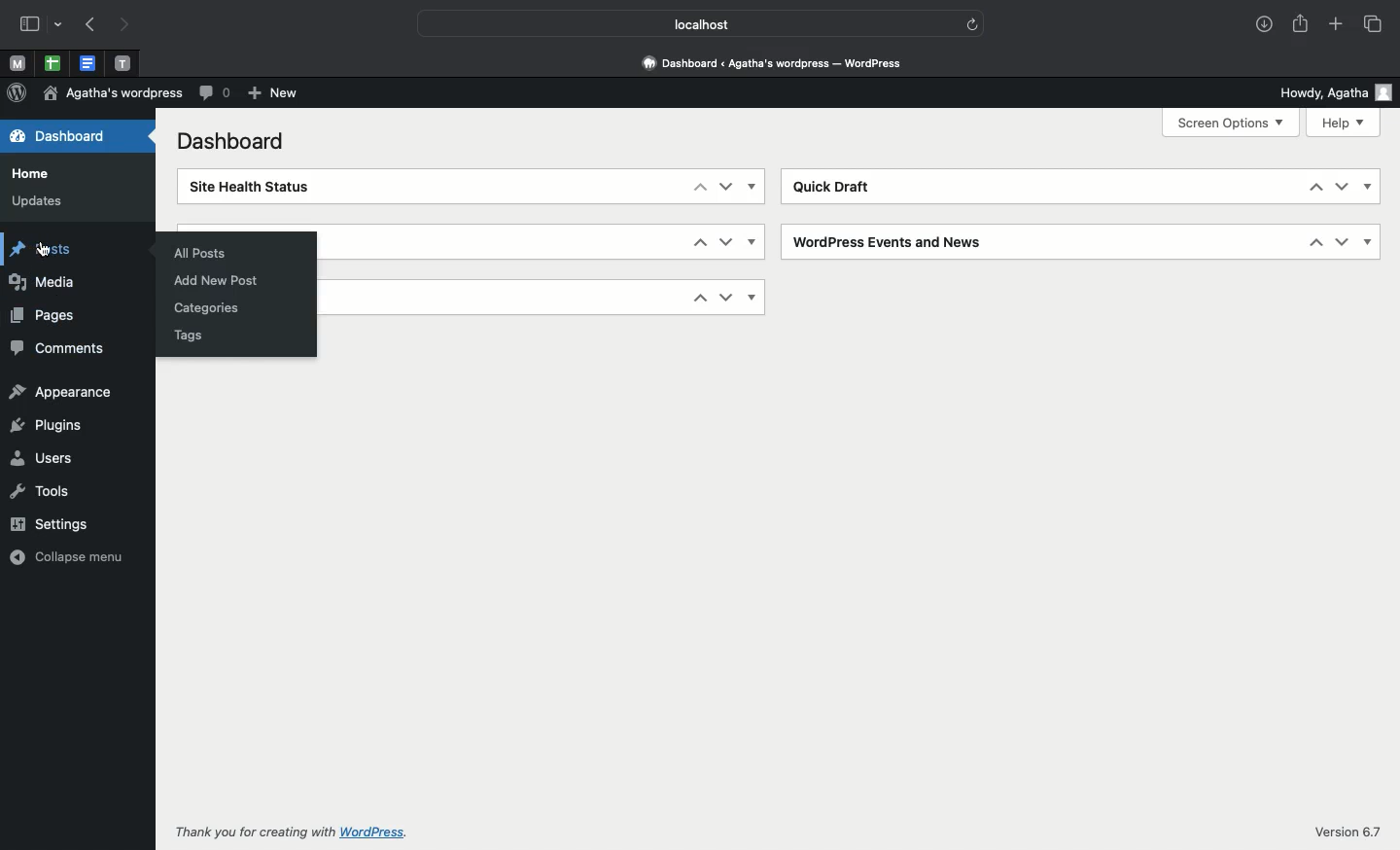 The height and width of the screenshot is (850, 1400). I want to click on Comments, so click(213, 94).